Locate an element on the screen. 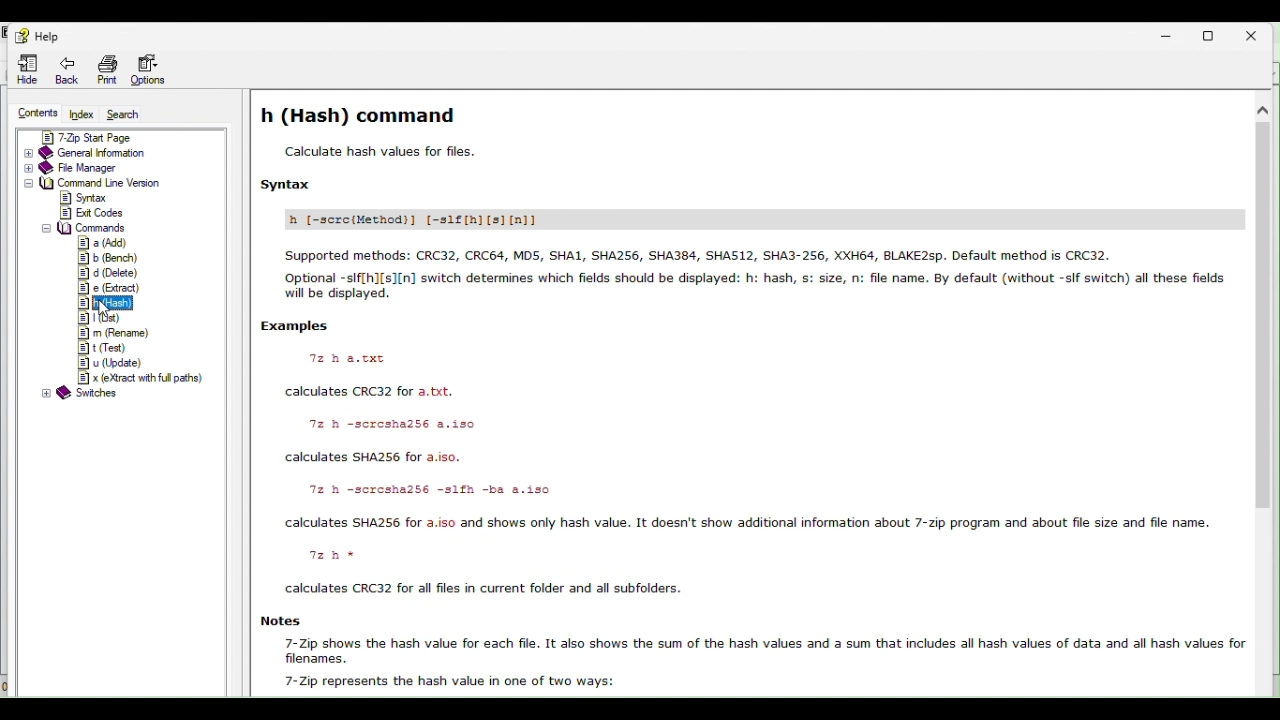 This screenshot has height=720, width=1280. e(extract with full path) is located at coordinates (139, 379).